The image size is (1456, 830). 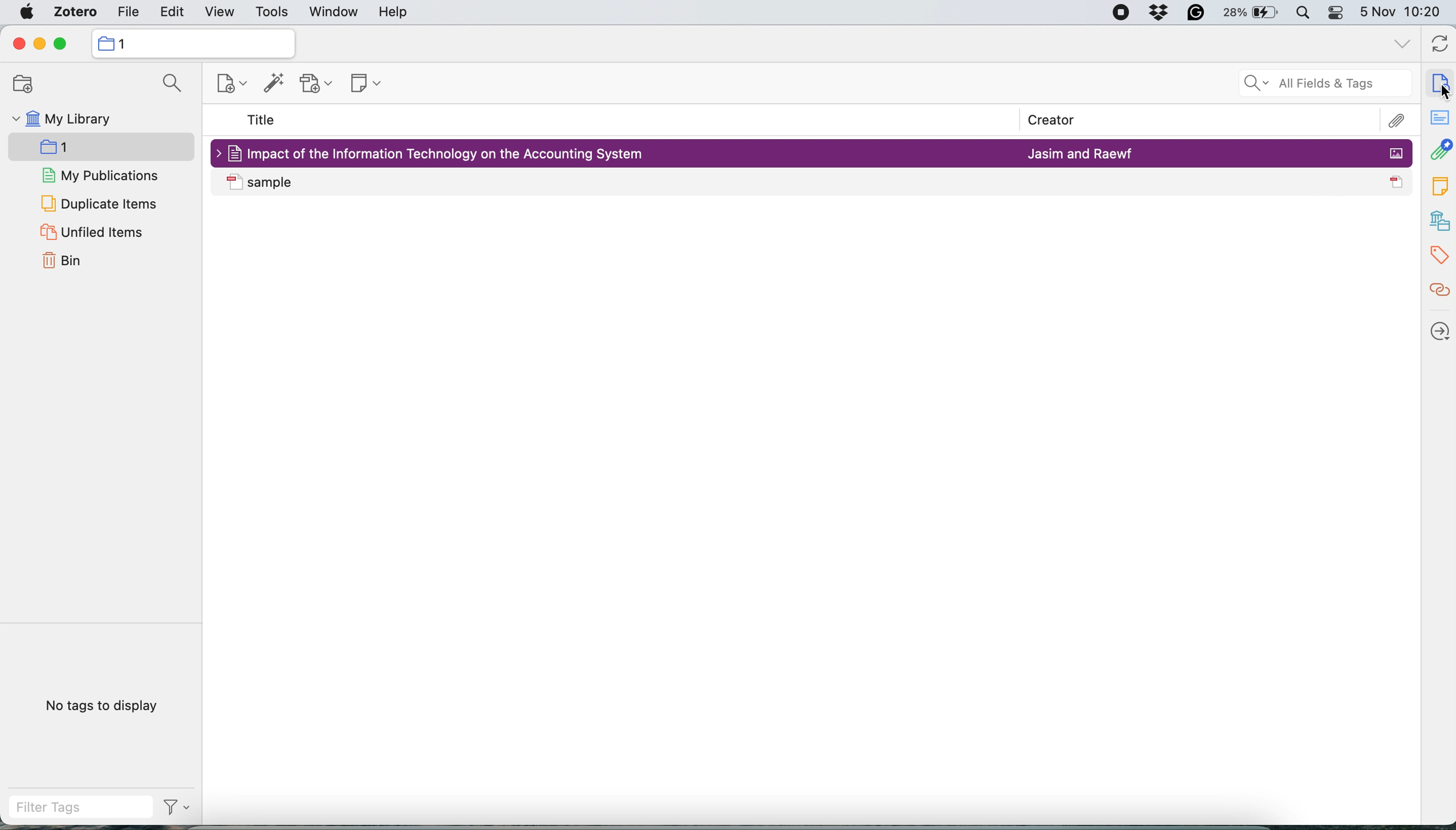 What do you see at coordinates (125, 44) in the screenshot?
I see `collection` at bounding box center [125, 44].